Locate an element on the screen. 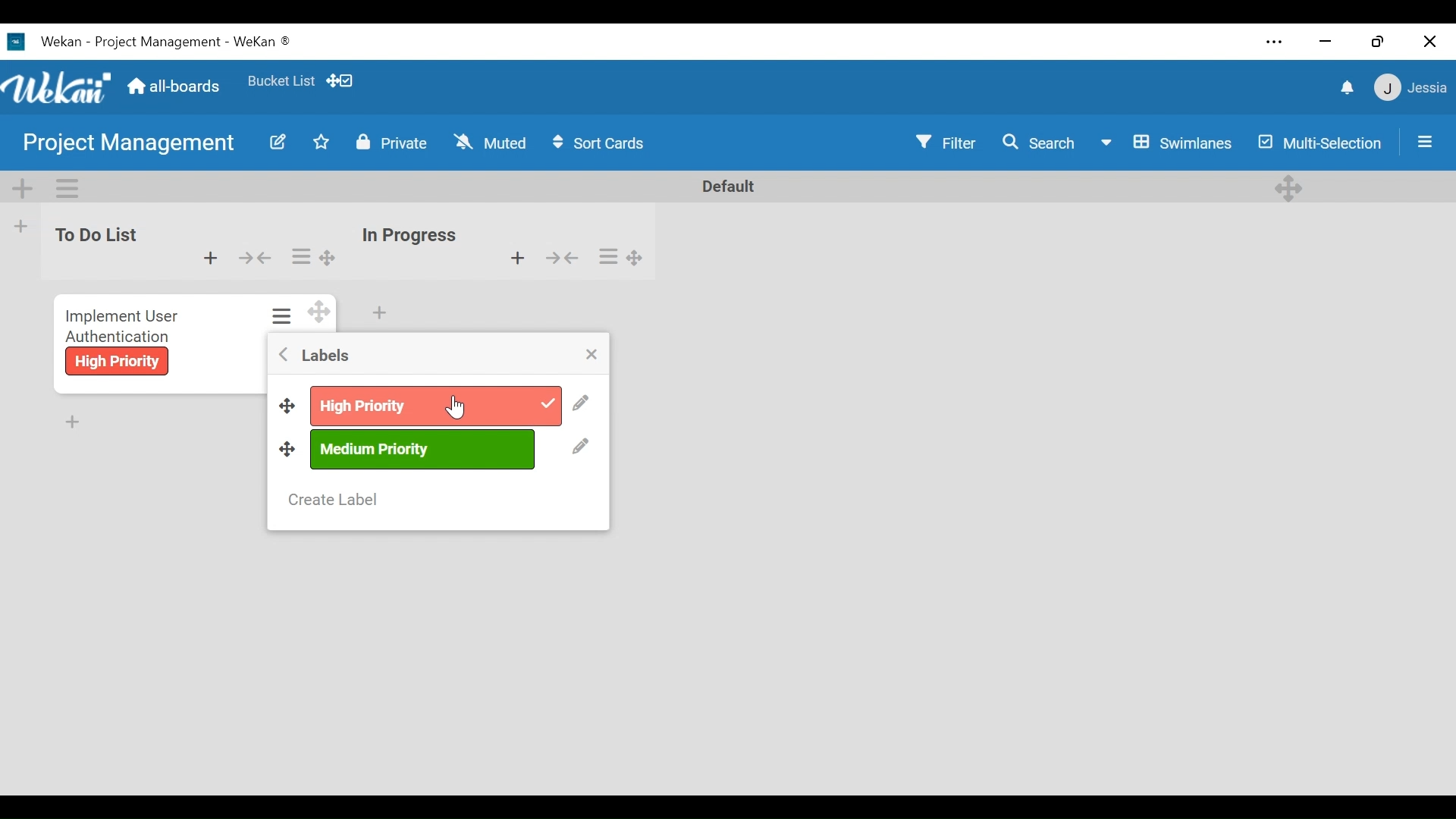 The width and height of the screenshot is (1456, 819). add swimlane is located at coordinates (24, 190).